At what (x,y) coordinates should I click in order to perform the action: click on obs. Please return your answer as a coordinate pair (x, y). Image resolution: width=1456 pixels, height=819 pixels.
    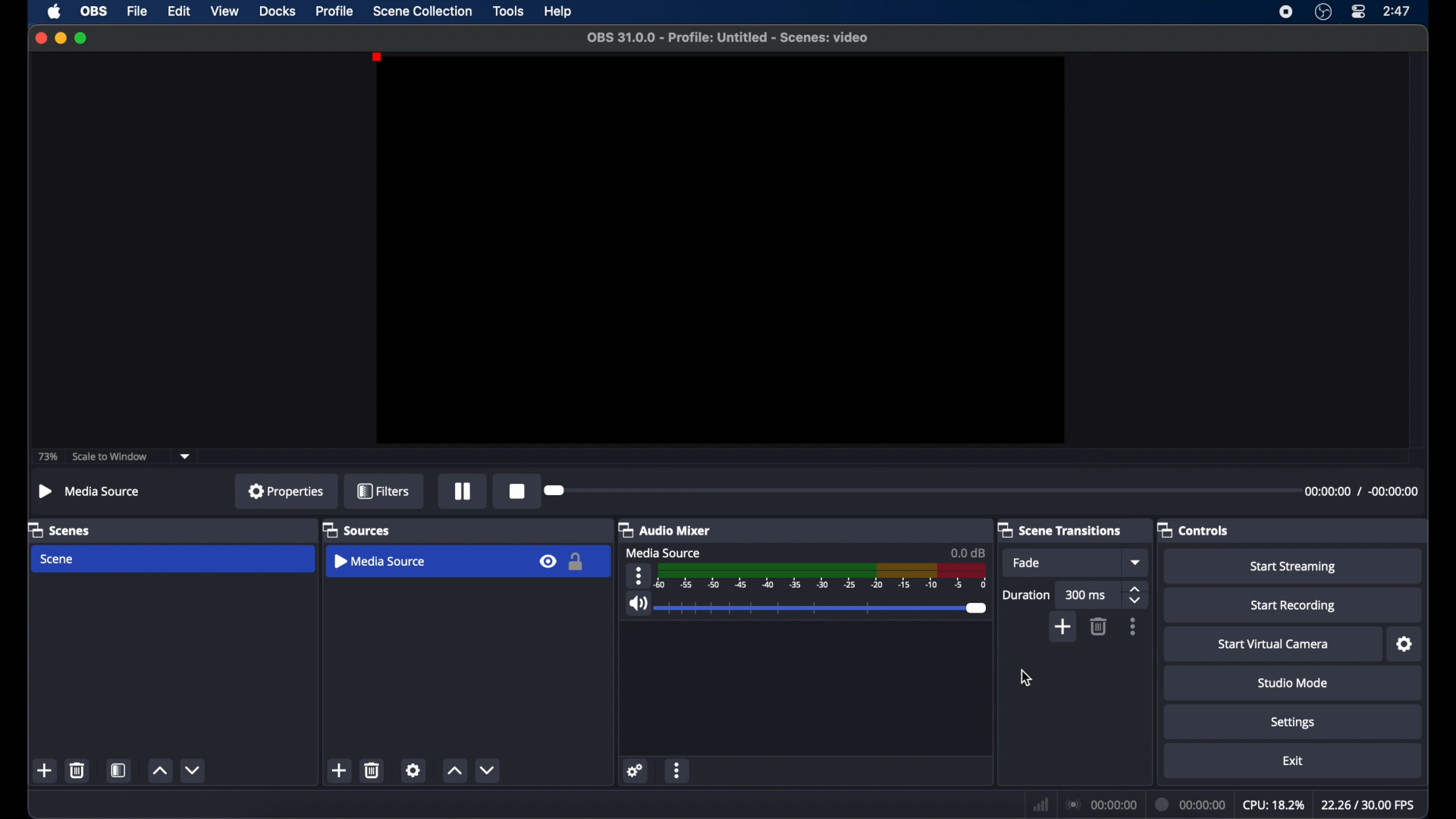
    Looking at the image, I should click on (94, 11).